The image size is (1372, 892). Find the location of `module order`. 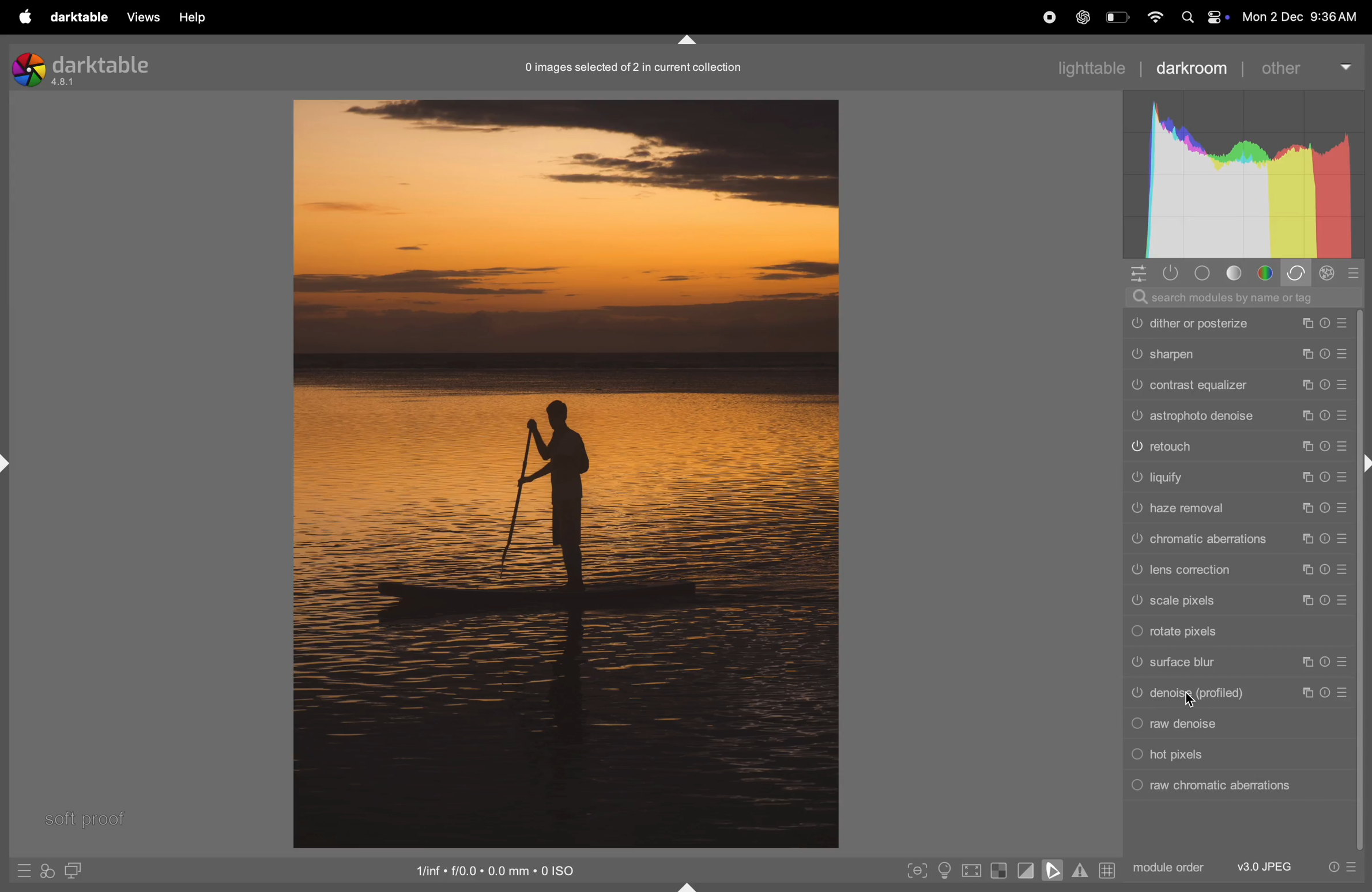

module order is located at coordinates (1169, 867).